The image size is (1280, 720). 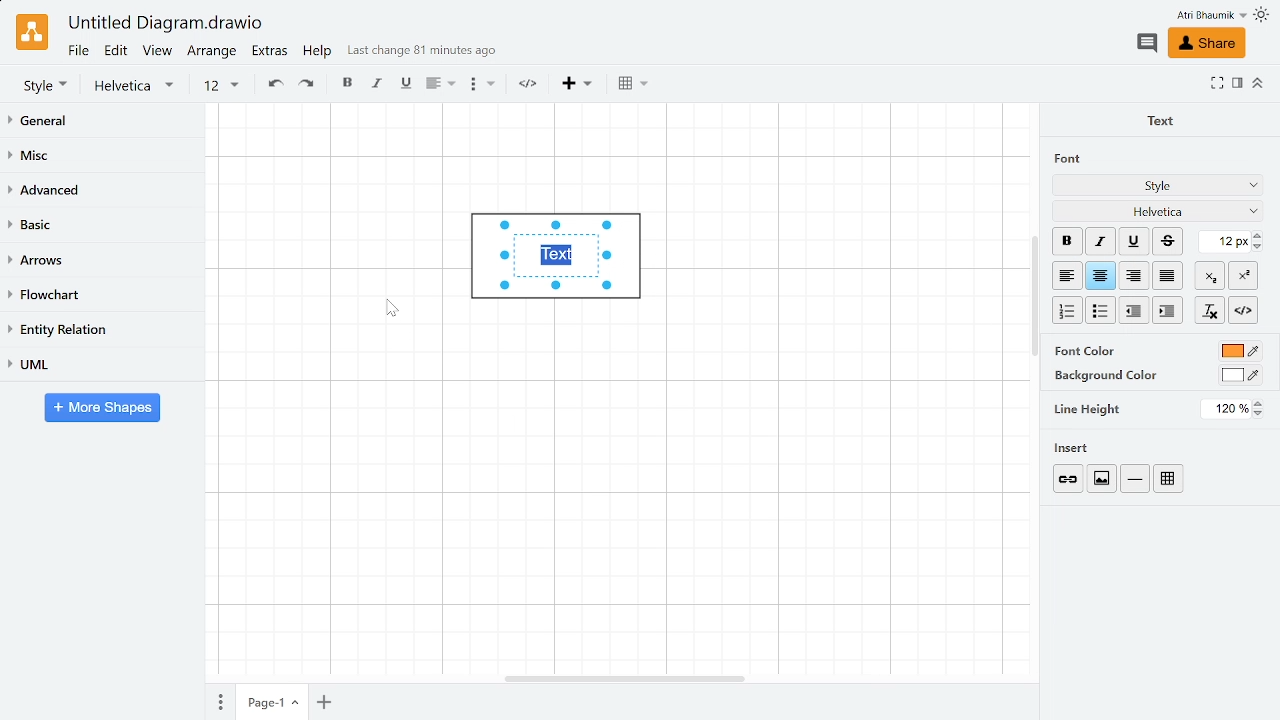 I want to click on Horizontal scrollbar, so click(x=626, y=677).